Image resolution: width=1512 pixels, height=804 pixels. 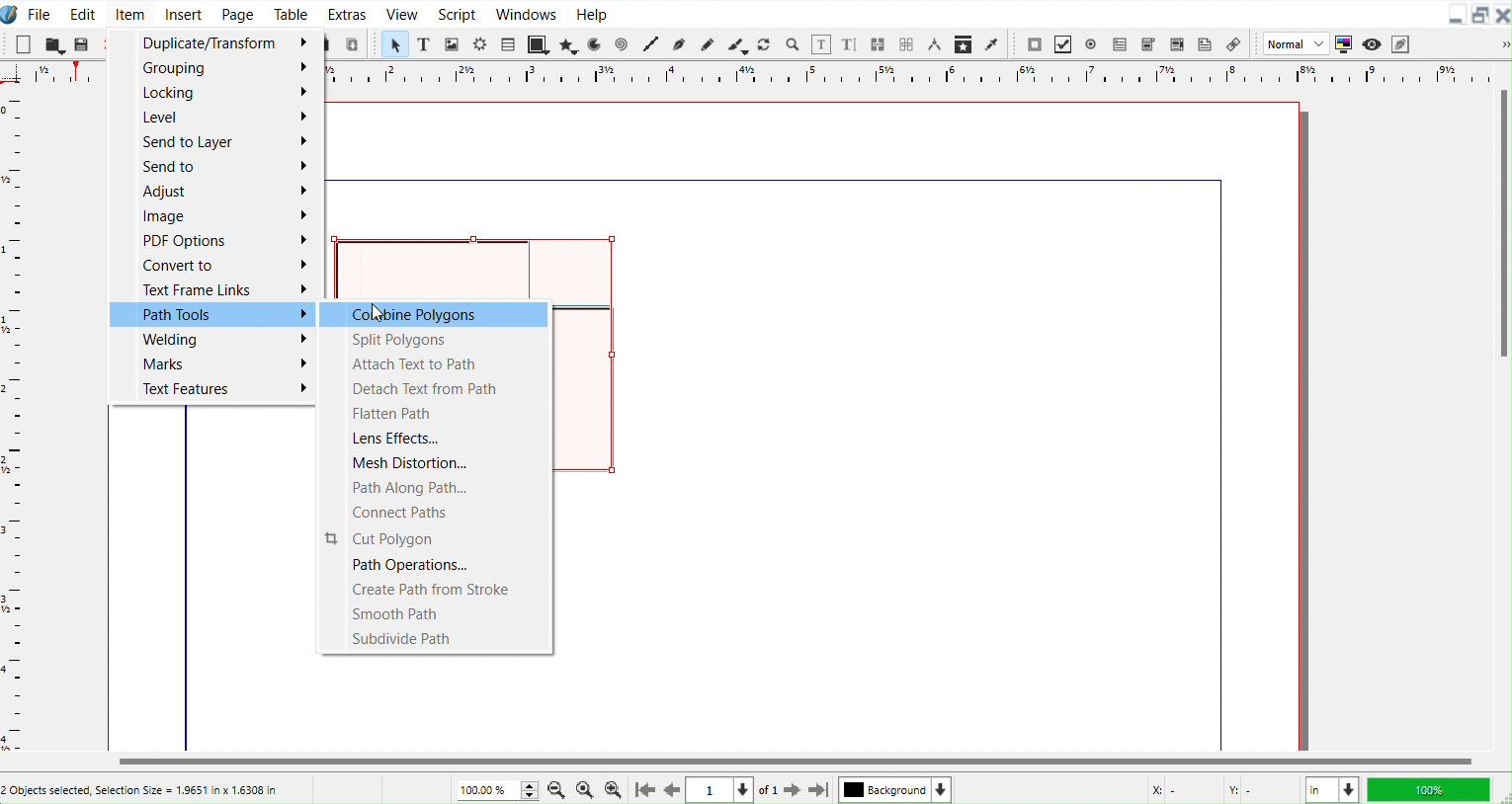 I want to click on Duplicate/Transform, so click(x=212, y=42).